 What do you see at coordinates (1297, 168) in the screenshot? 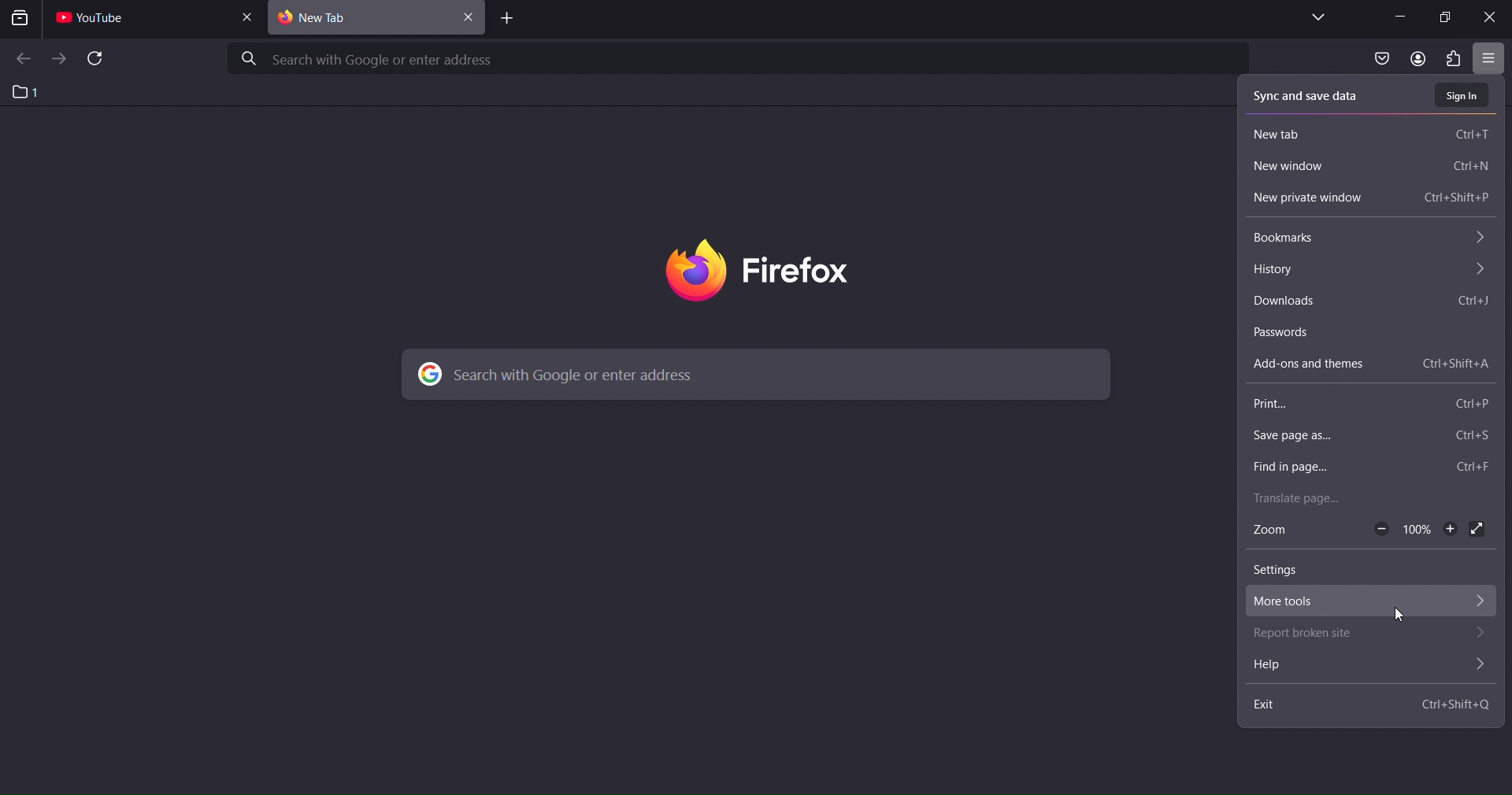
I see `new window` at bounding box center [1297, 168].